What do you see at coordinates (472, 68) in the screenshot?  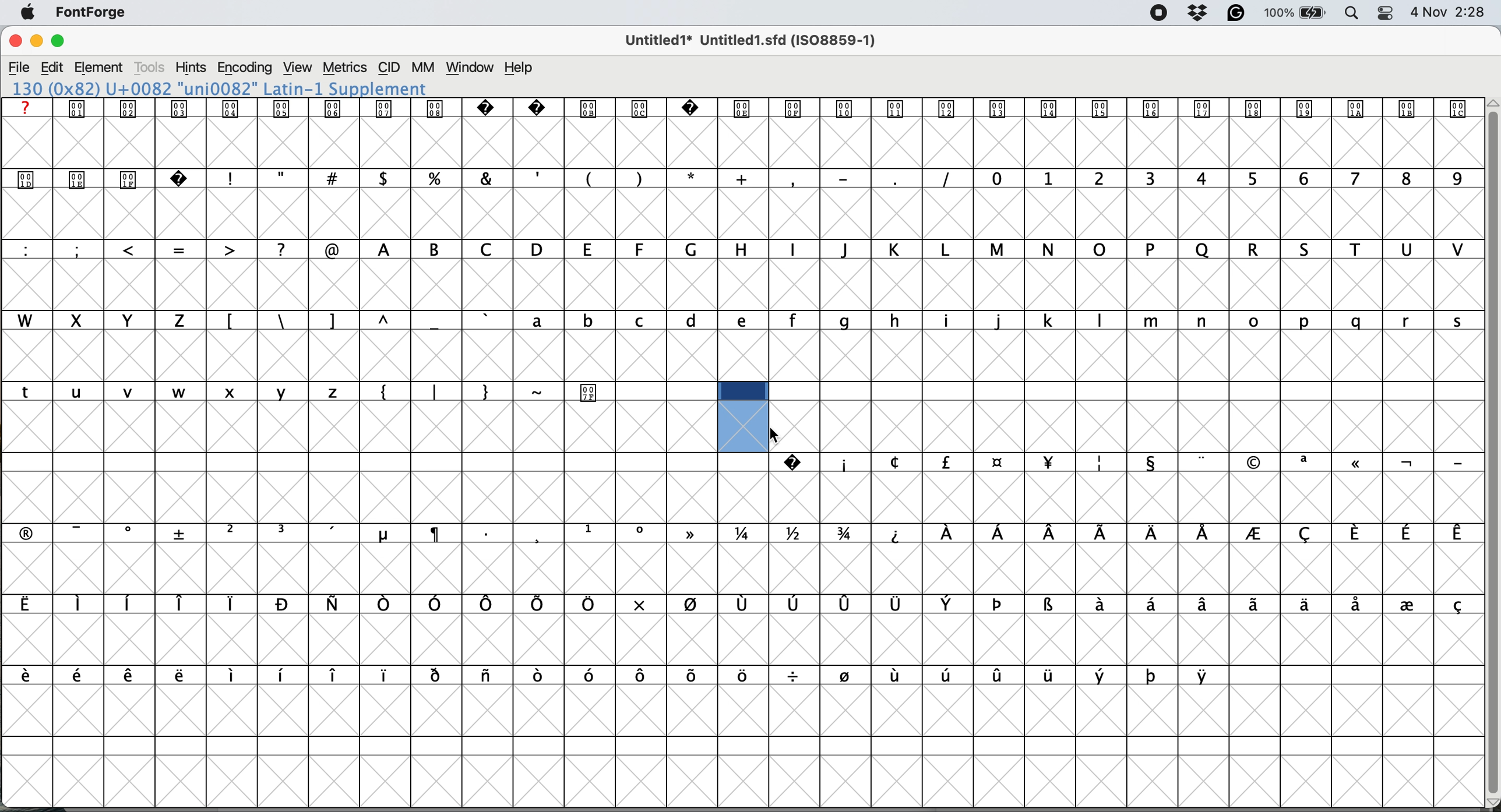 I see `window` at bounding box center [472, 68].